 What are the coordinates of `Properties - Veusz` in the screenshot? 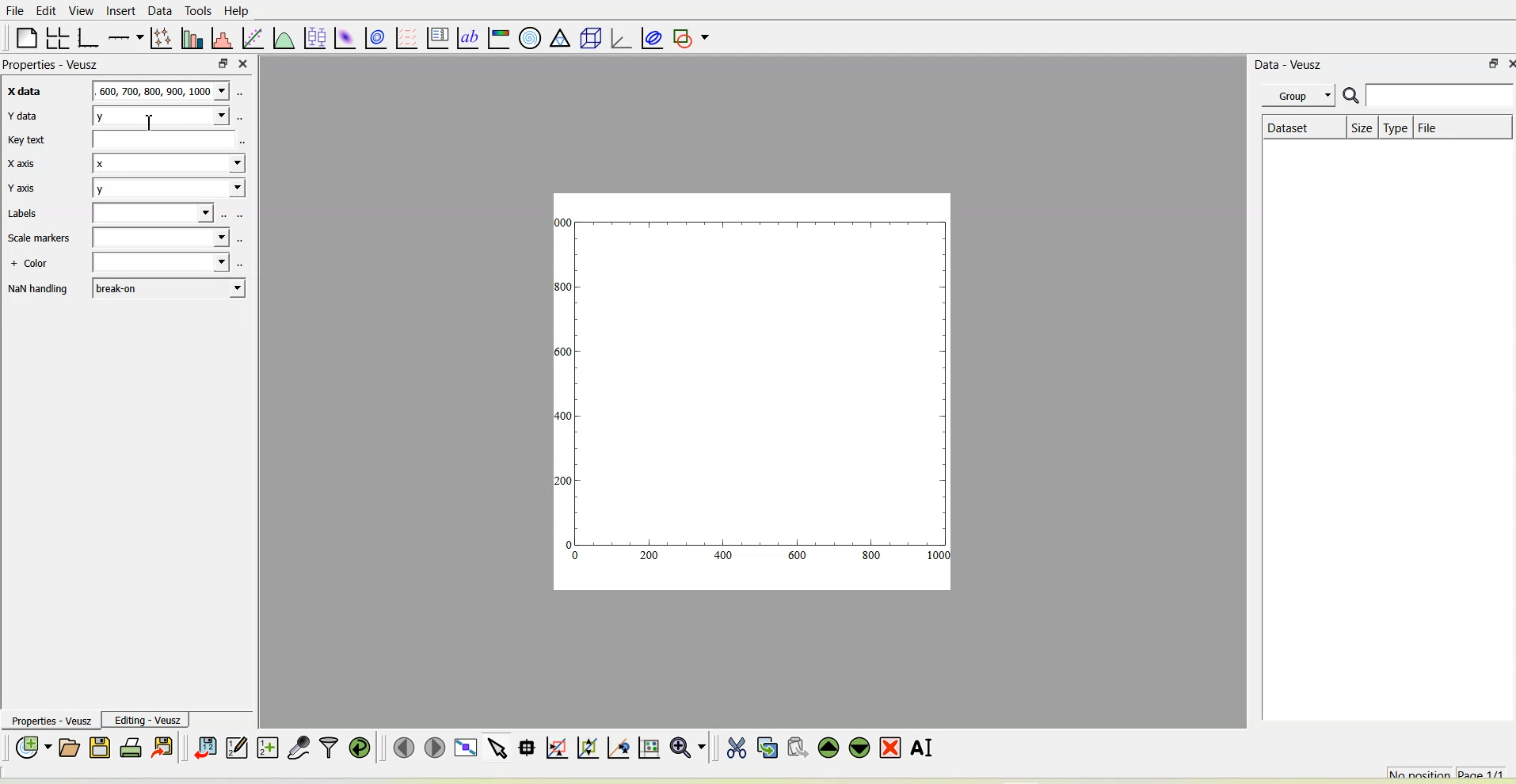 It's located at (48, 720).